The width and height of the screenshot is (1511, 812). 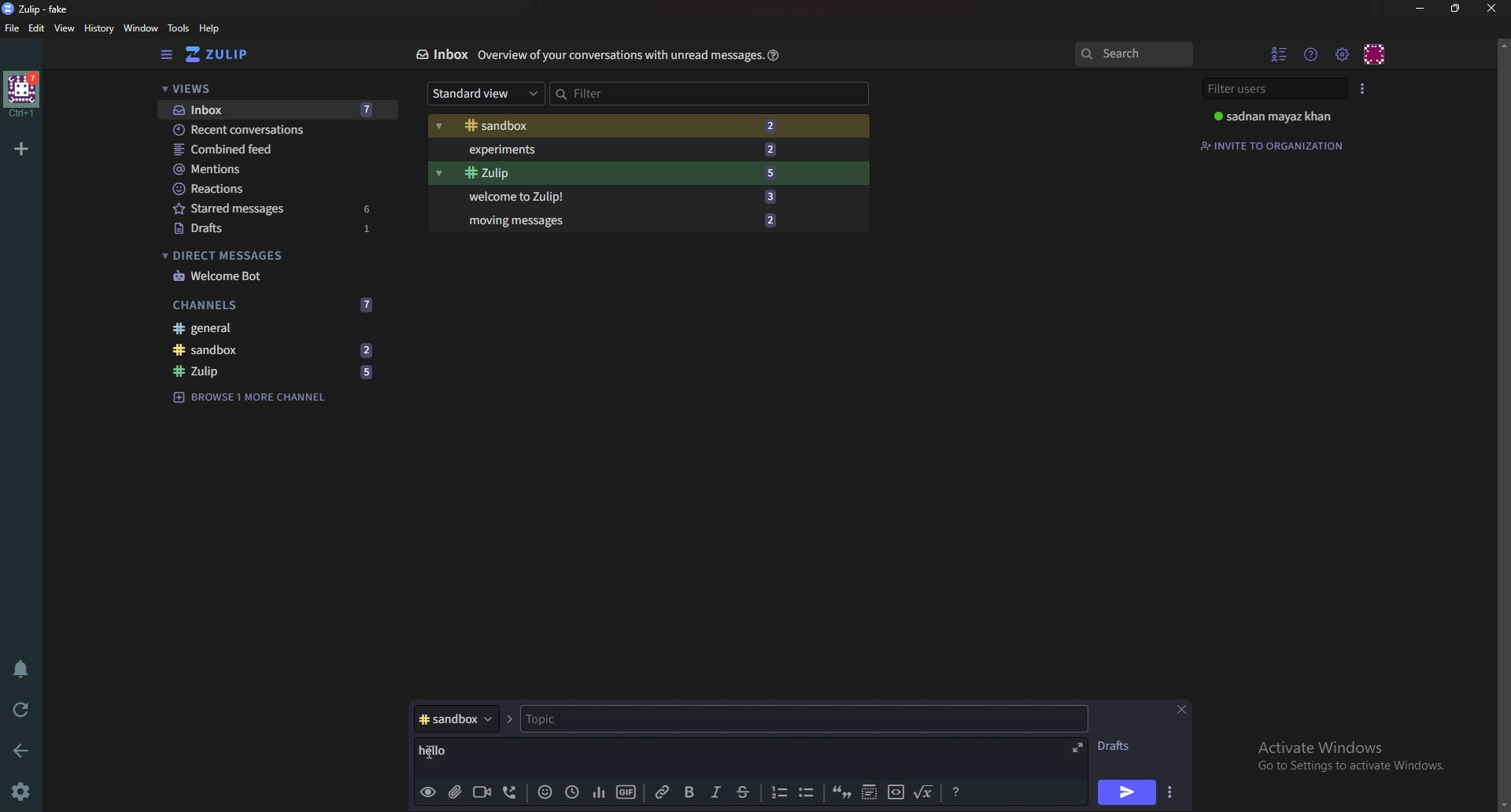 I want to click on Bold, so click(x=687, y=794).